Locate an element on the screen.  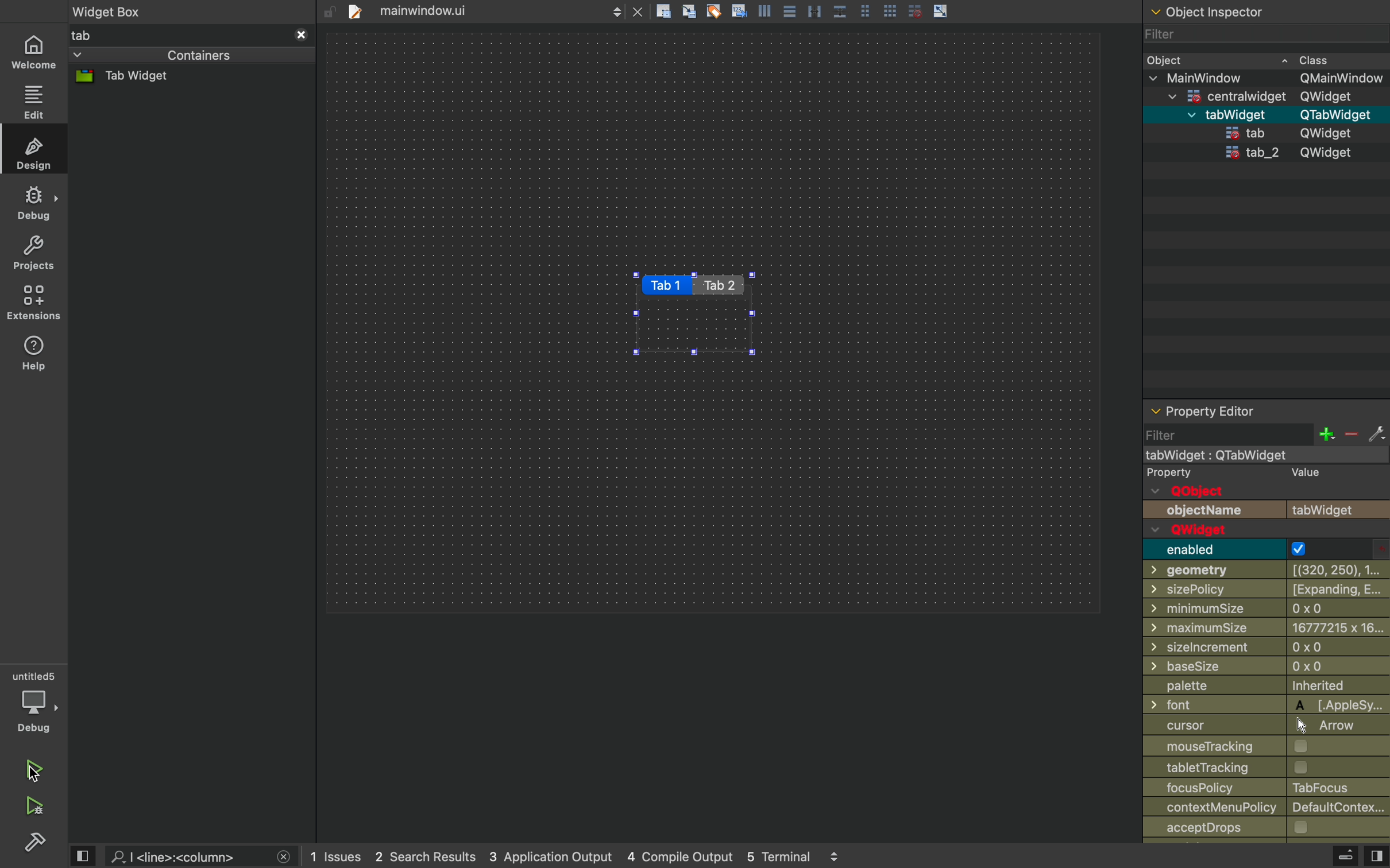
close is located at coordinates (638, 11).